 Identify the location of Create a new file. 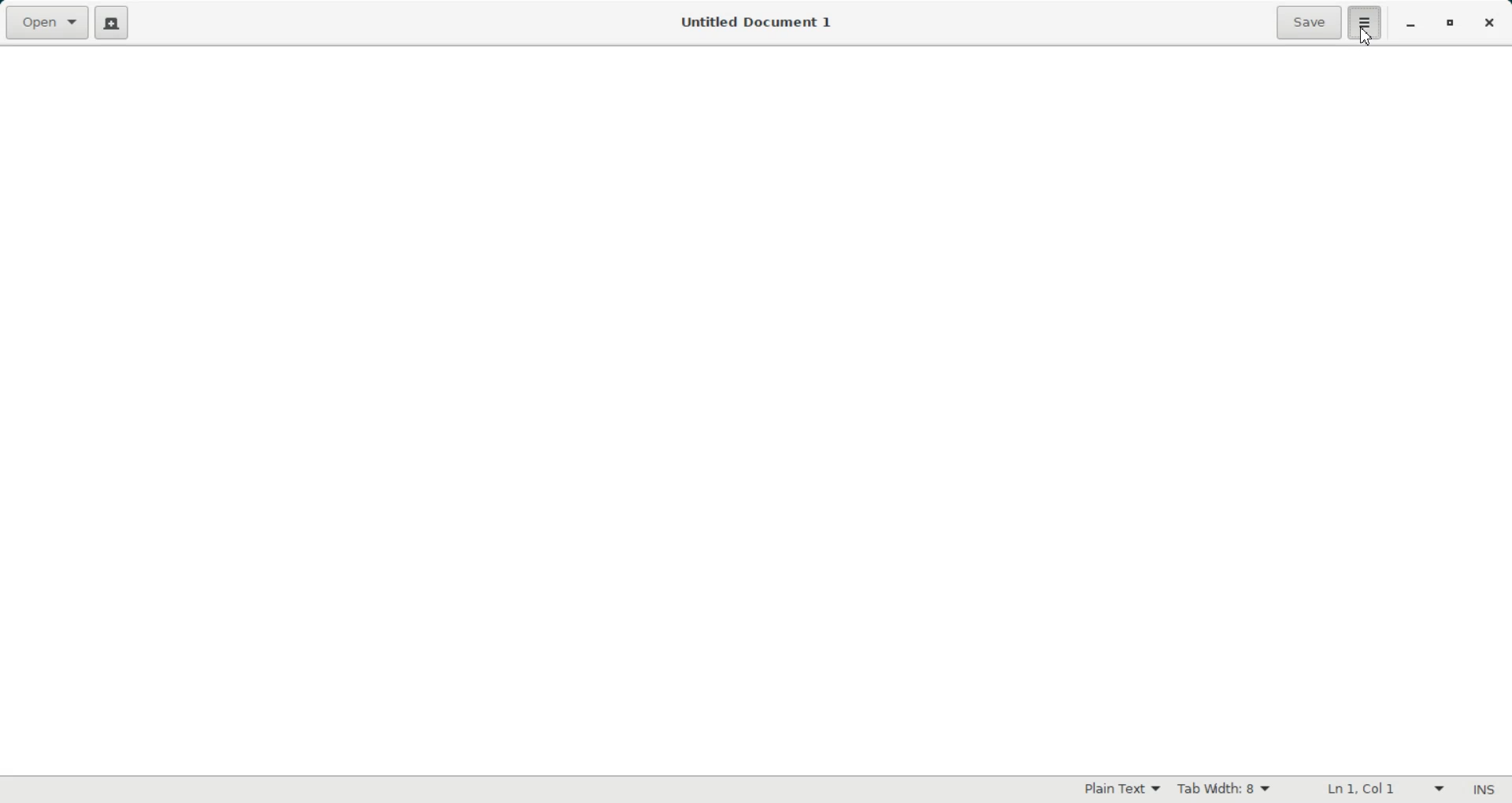
(111, 23).